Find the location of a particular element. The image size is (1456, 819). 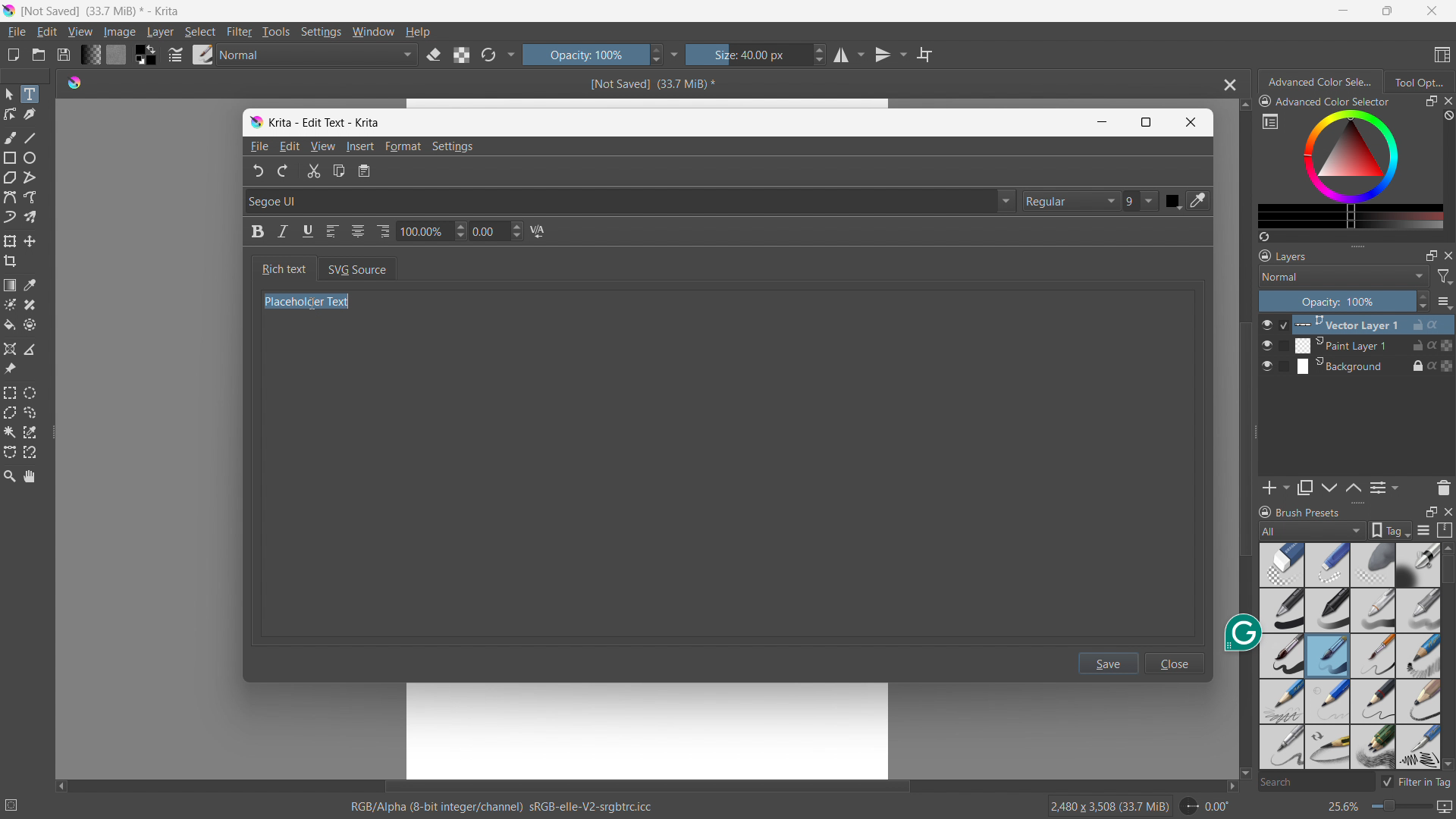

line tool is located at coordinates (31, 137).